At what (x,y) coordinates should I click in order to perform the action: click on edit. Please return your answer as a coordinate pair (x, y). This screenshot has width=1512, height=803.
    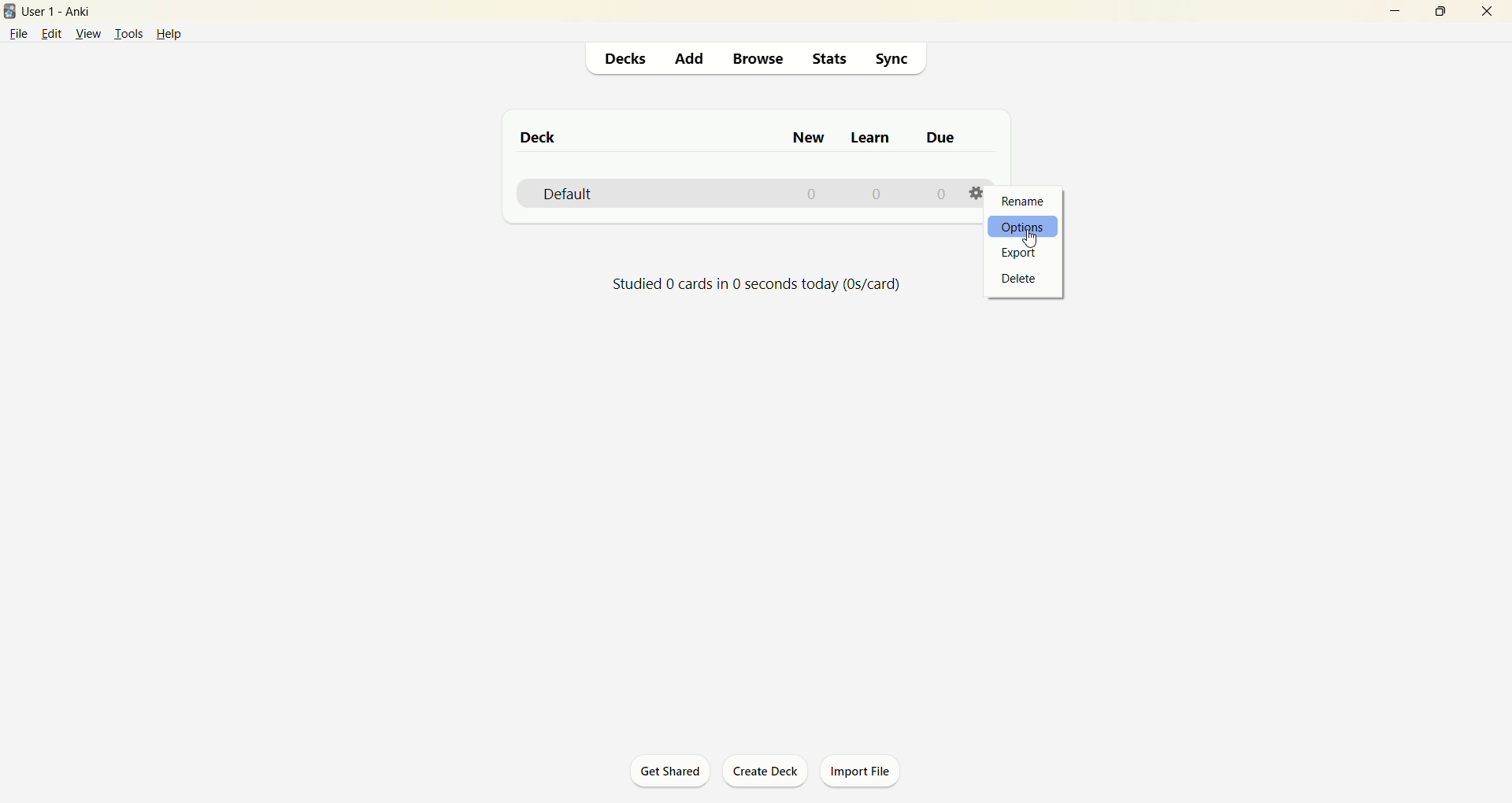
    Looking at the image, I should click on (50, 33).